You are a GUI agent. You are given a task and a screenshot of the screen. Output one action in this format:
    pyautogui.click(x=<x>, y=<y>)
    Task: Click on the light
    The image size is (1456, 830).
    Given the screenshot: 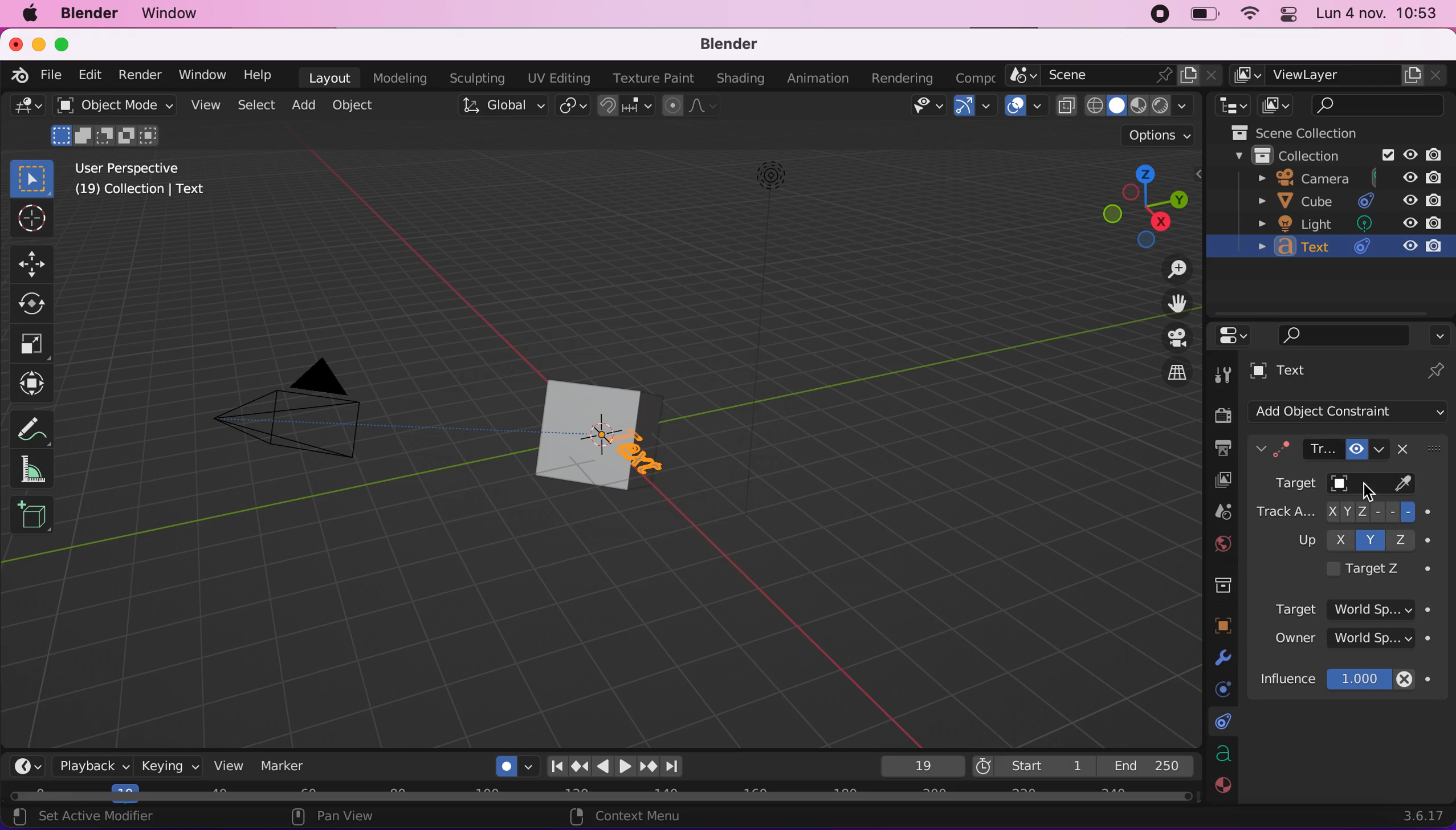 What is the action you would take?
    pyautogui.click(x=1352, y=222)
    